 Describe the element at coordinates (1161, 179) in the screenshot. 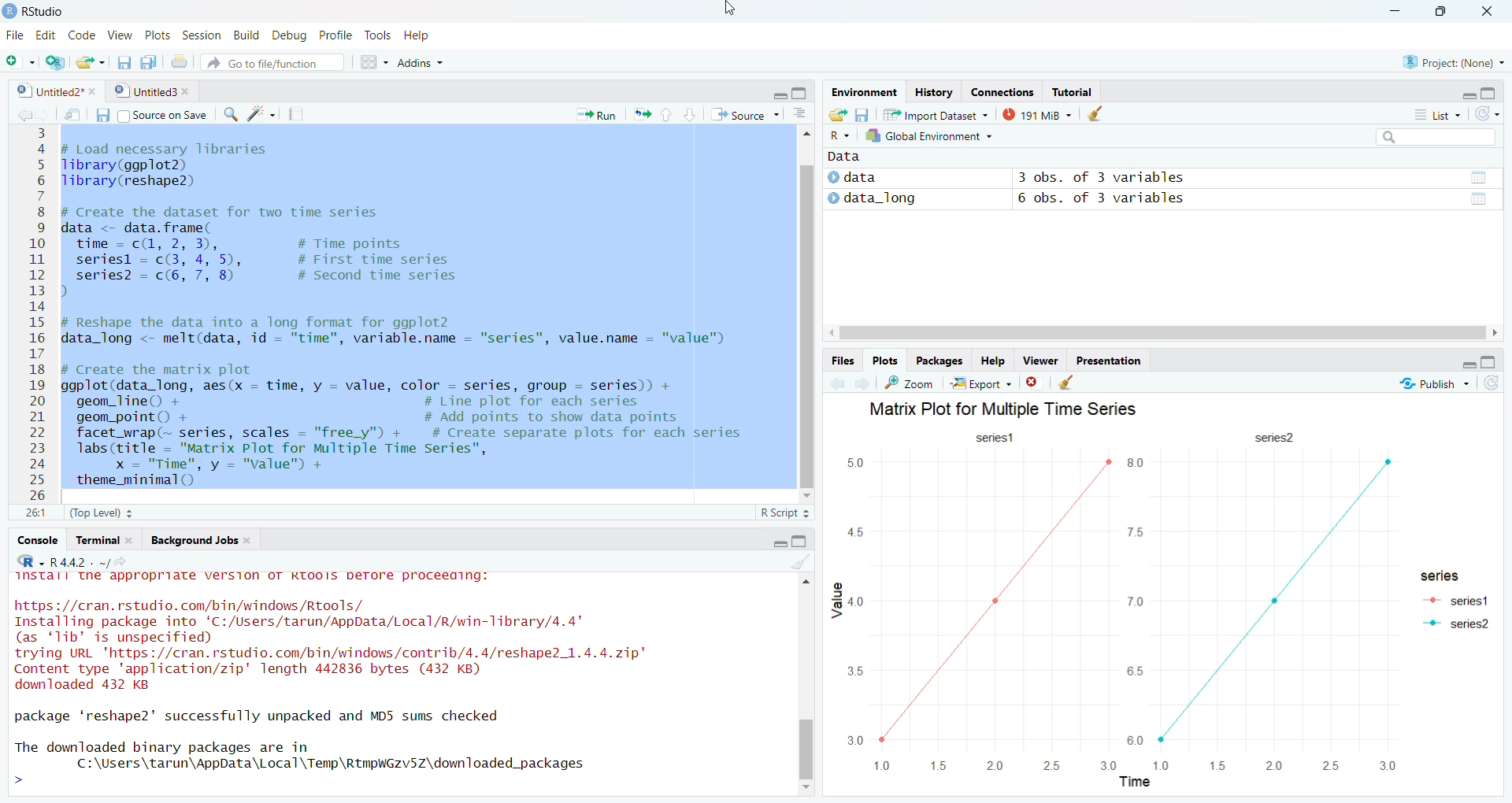

I see `data 3 obs. of 3 variables` at that location.